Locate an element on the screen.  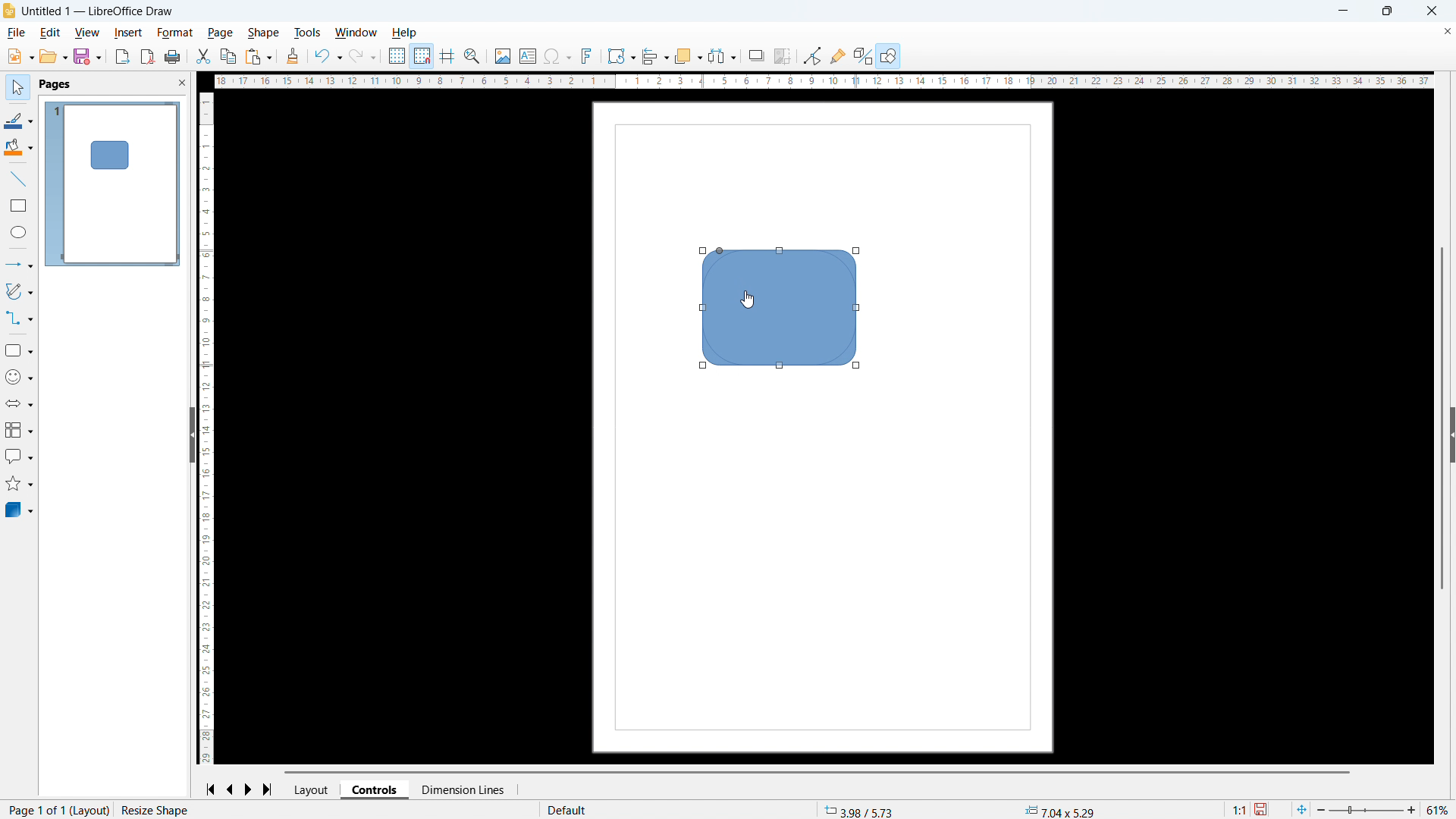
Page number  is located at coordinates (56, 810).